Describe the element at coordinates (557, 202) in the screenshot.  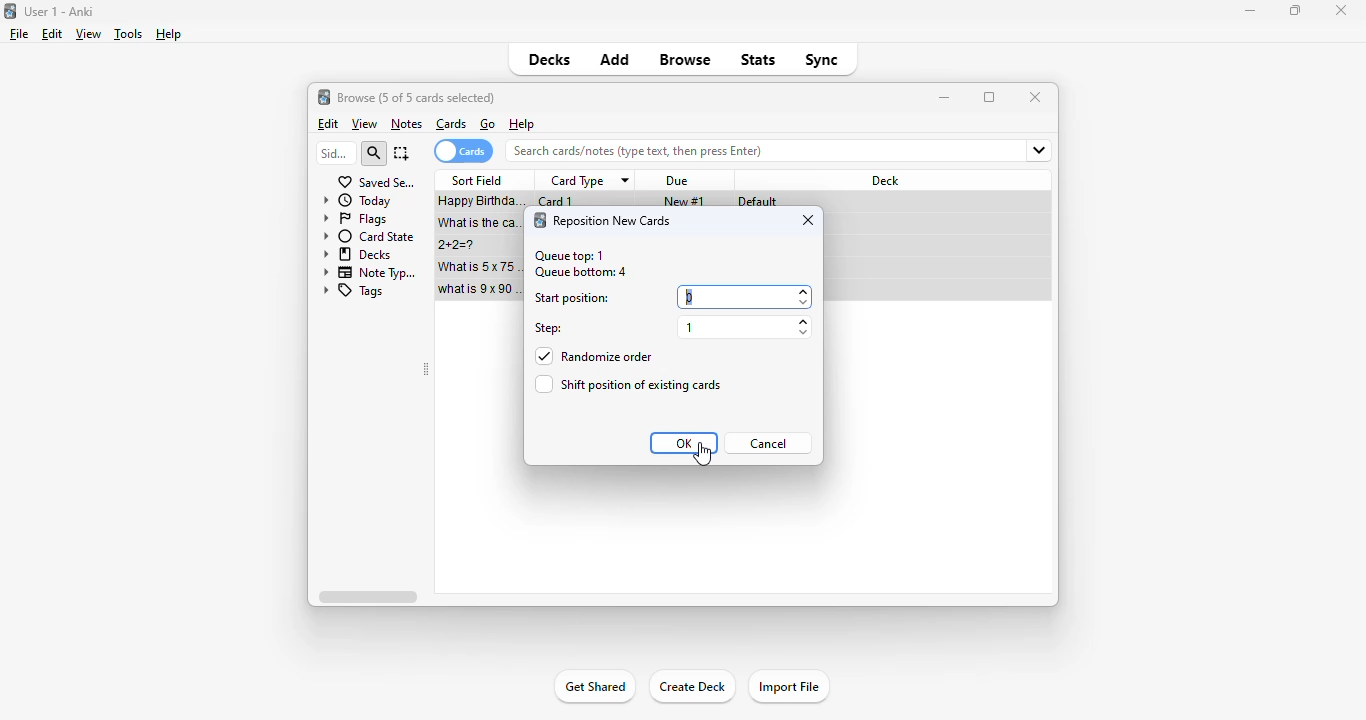
I see `card 1` at that location.